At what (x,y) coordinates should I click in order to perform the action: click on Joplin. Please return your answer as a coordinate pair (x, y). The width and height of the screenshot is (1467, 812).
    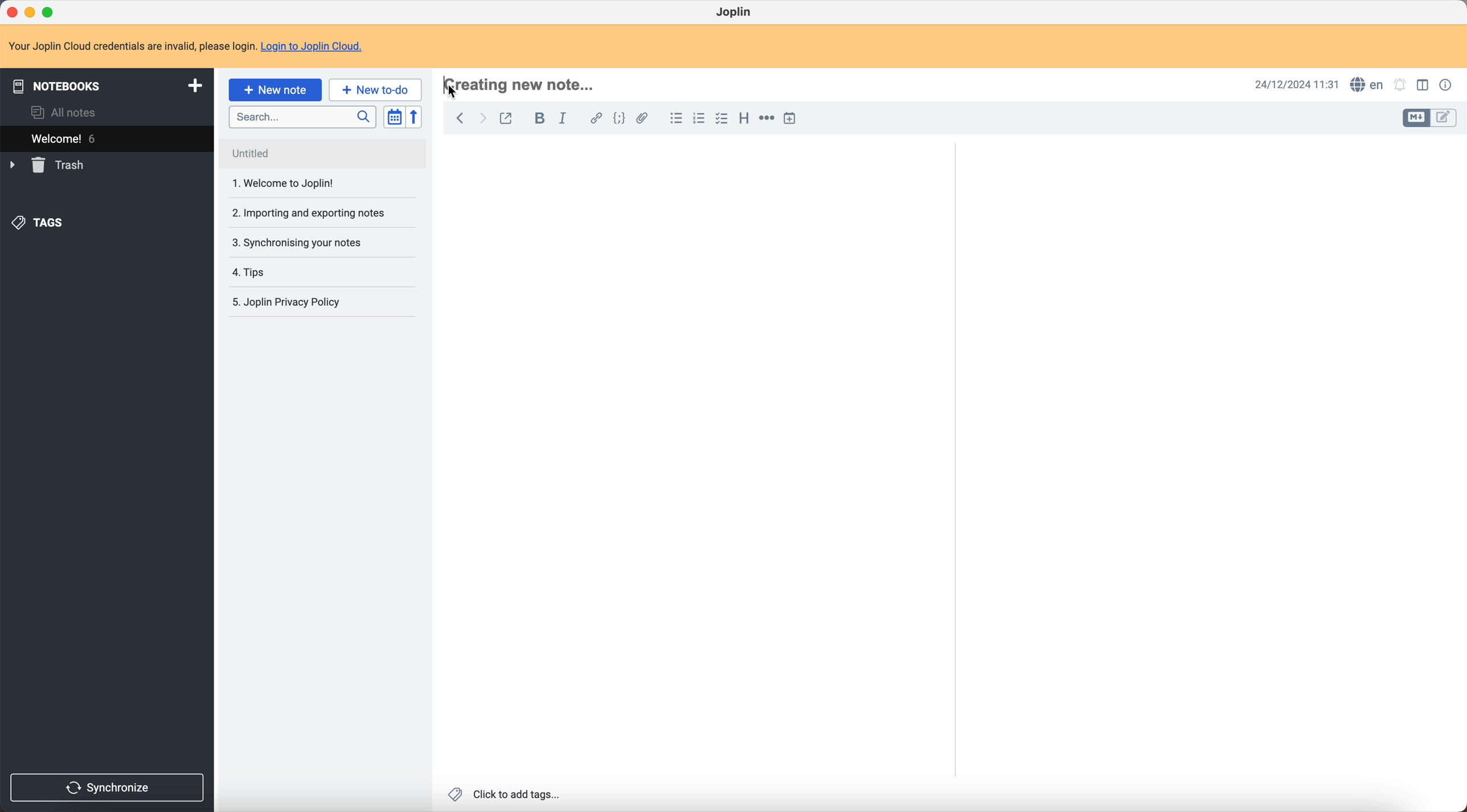
    Looking at the image, I should click on (733, 11).